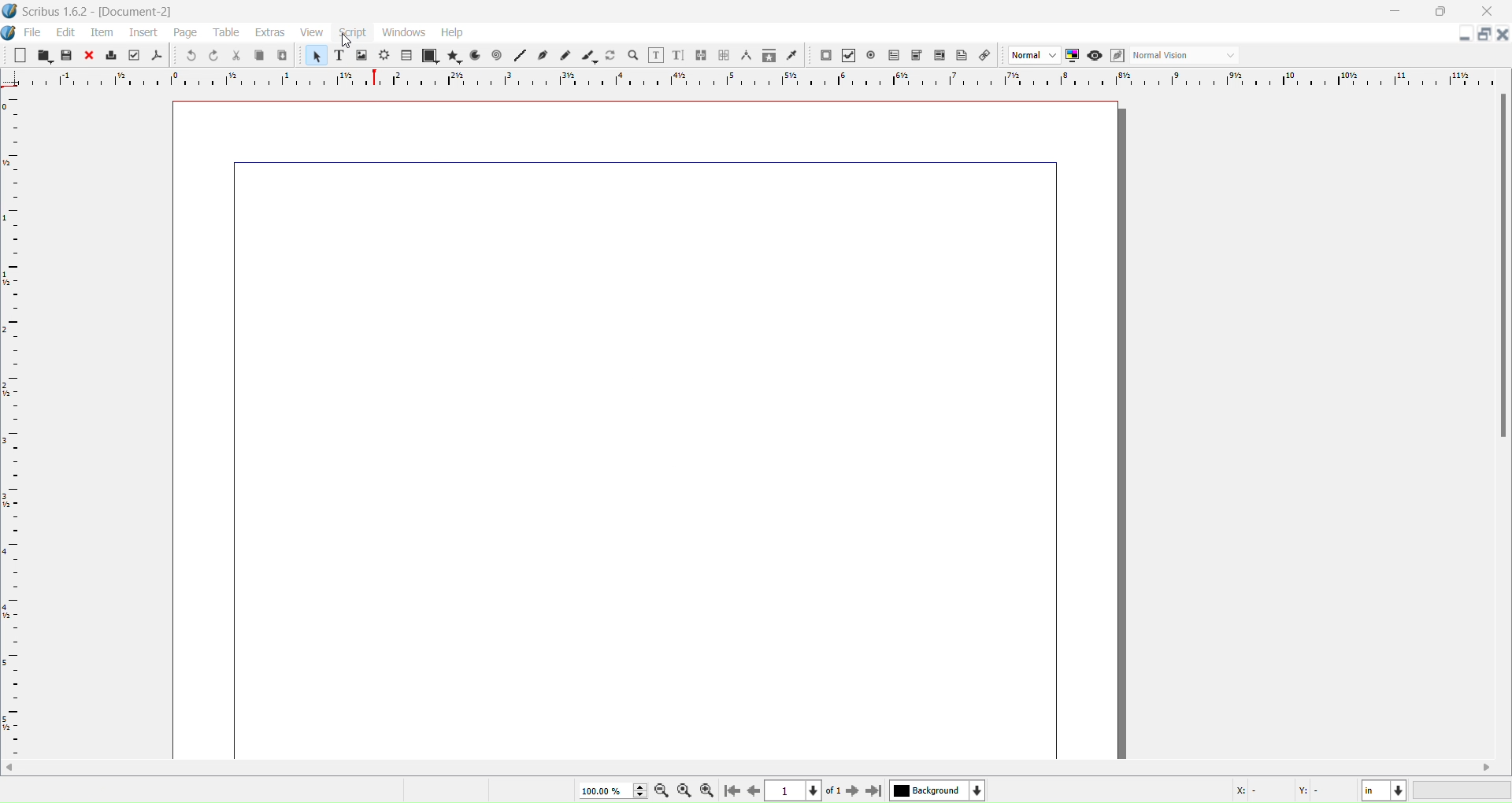 Image resolution: width=1512 pixels, height=803 pixels. Describe the element at coordinates (730, 791) in the screenshot. I see `Go to the first page` at that location.